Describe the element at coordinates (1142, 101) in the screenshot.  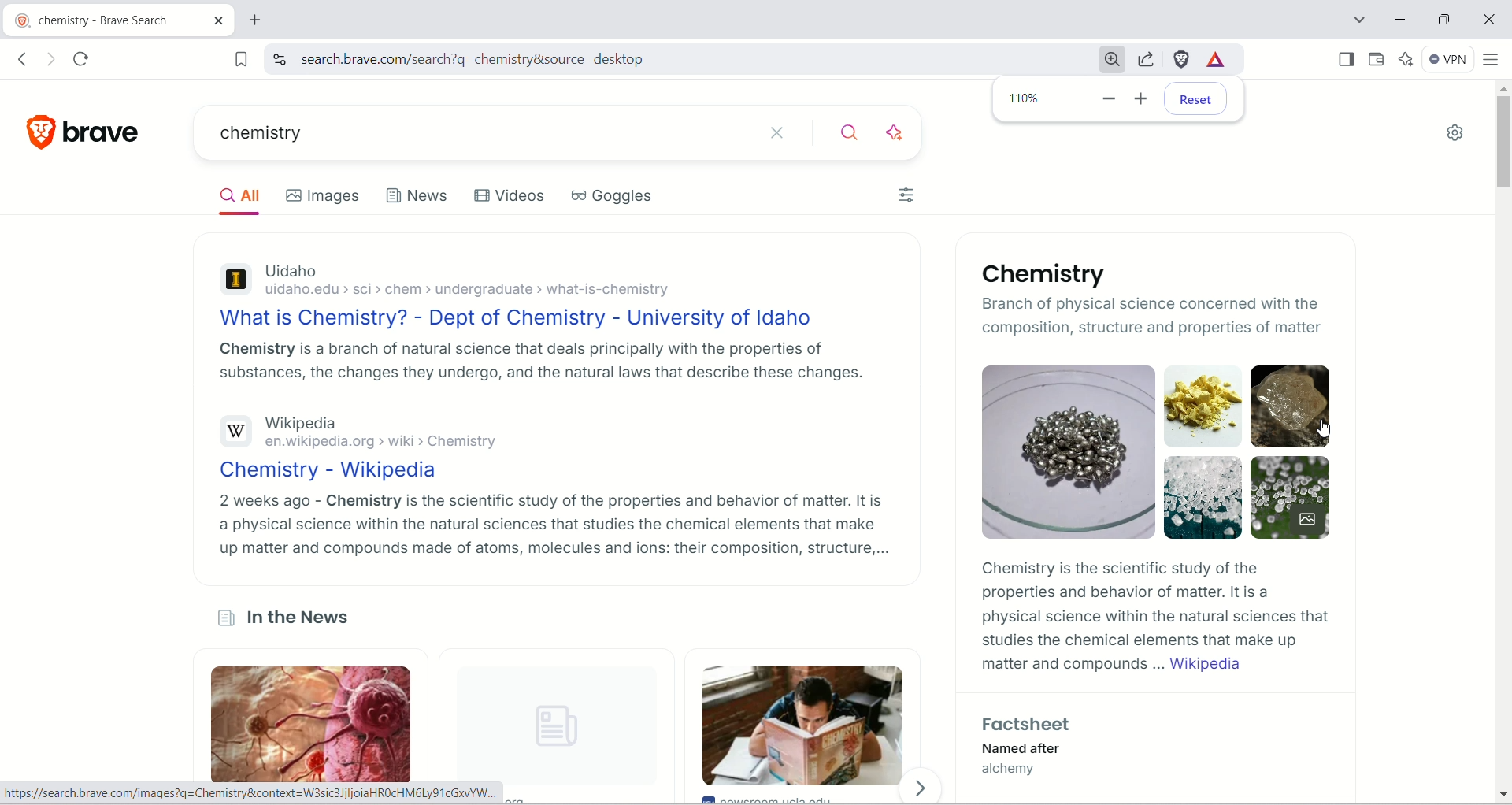
I see `zoom in` at that location.